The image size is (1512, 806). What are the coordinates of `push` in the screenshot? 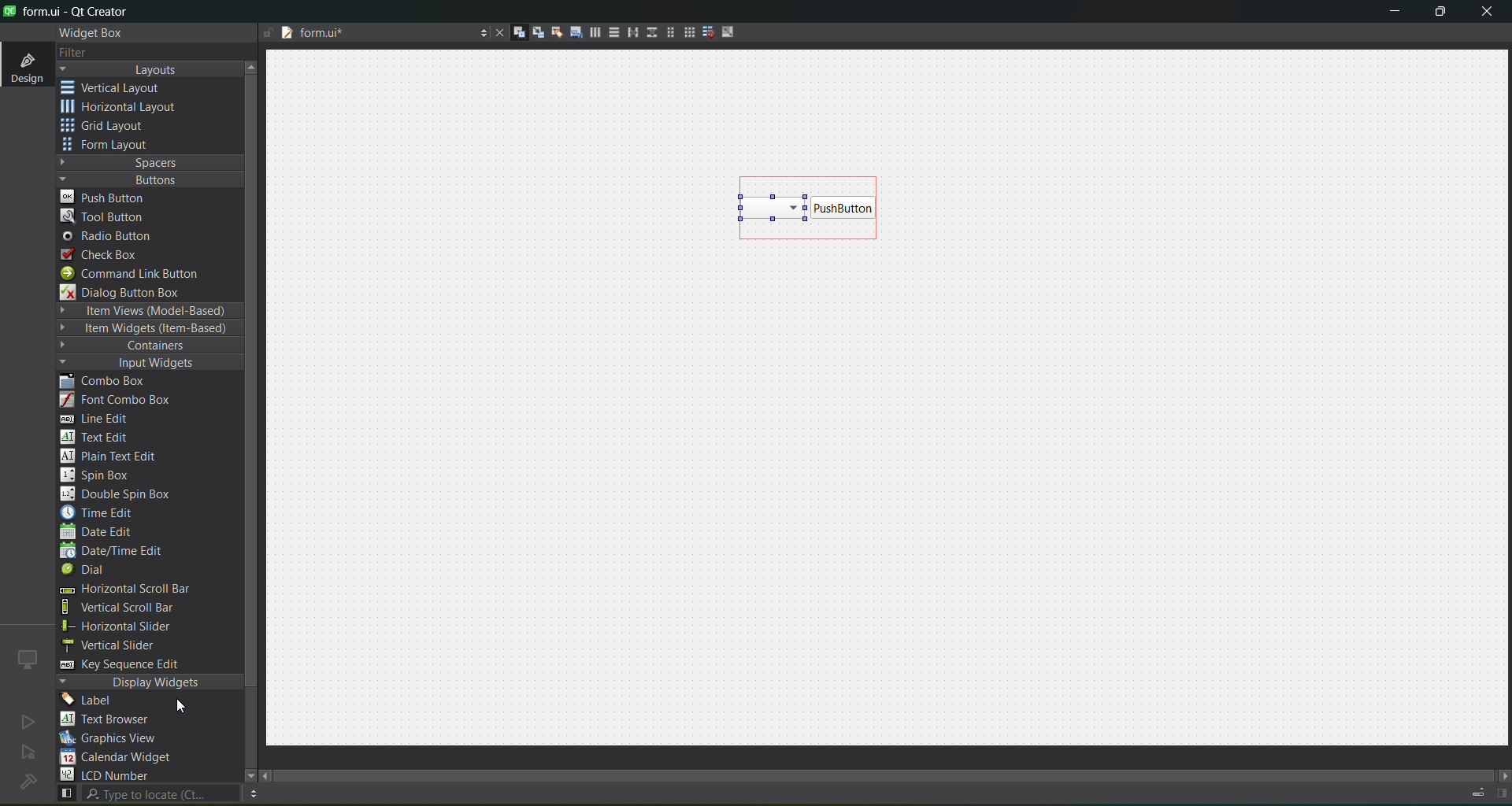 It's located at (105, 196).